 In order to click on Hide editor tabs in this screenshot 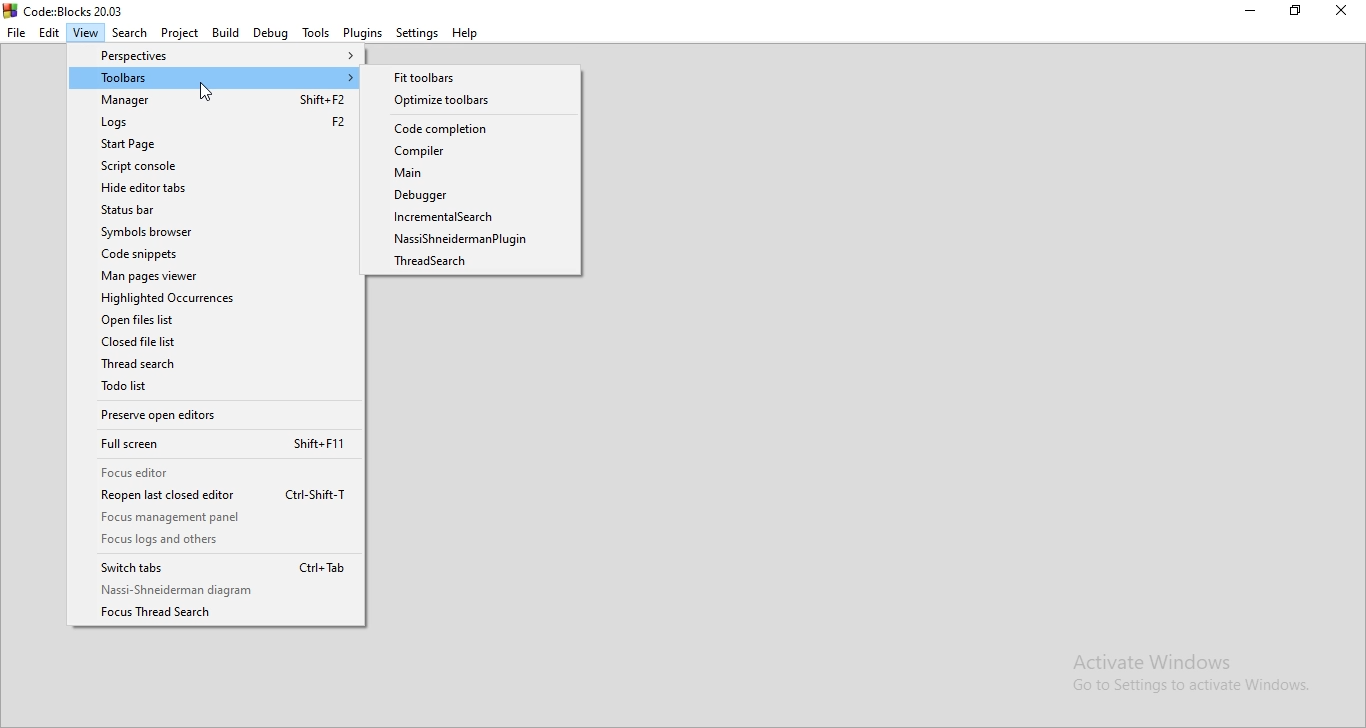, I will do `click(213, 189)`.